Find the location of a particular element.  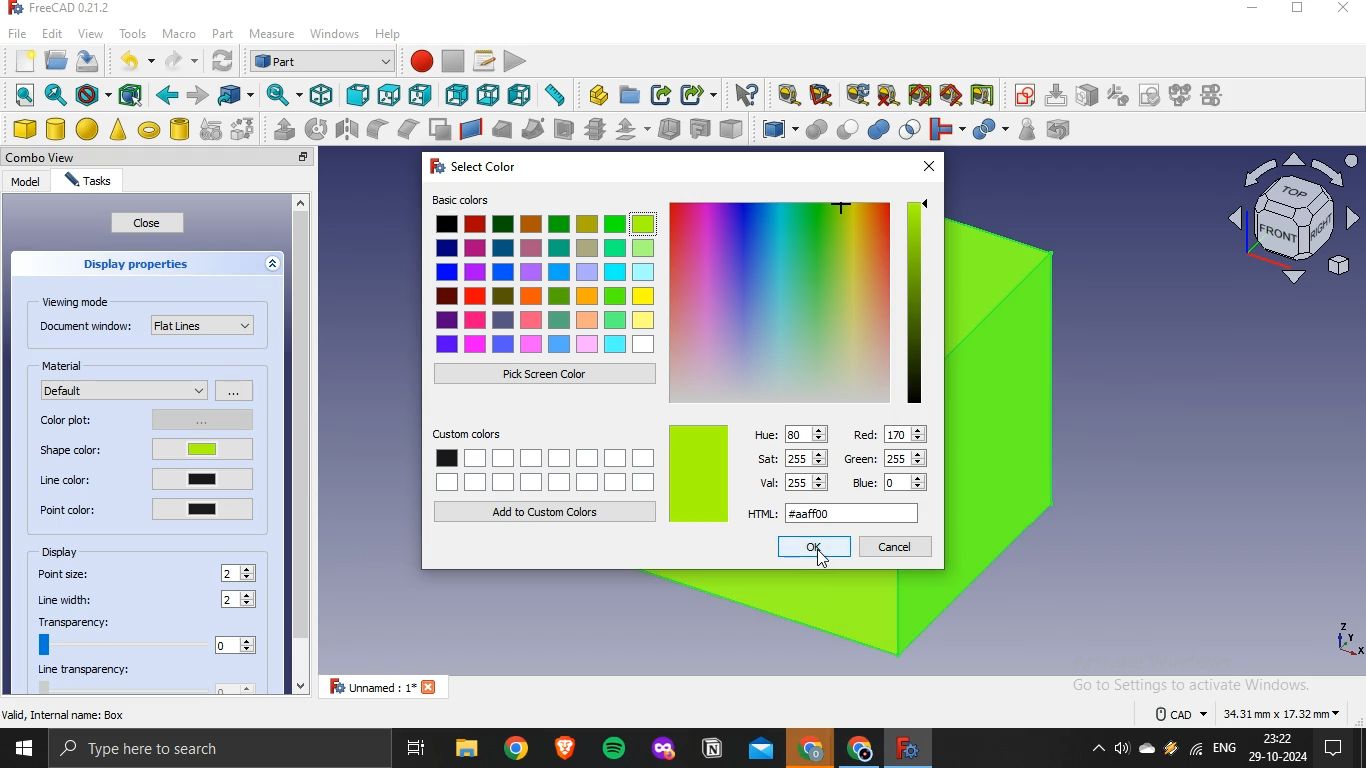

redo is located at coordinates (174, 61).